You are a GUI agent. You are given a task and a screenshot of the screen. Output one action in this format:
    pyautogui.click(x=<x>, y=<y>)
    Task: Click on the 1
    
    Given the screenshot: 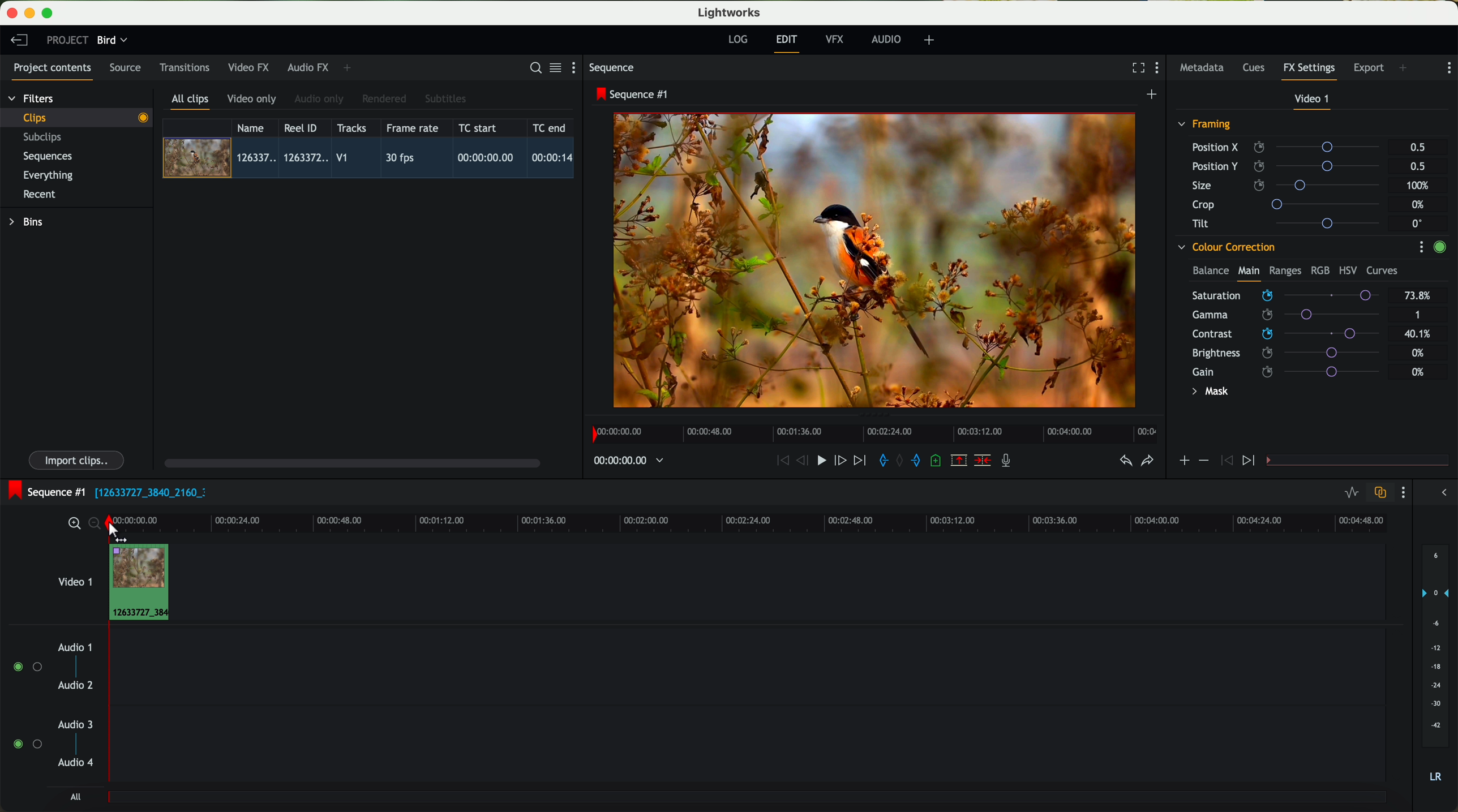 What is the action you would take?
    pyautogui.click(x=1418, y=316)
    